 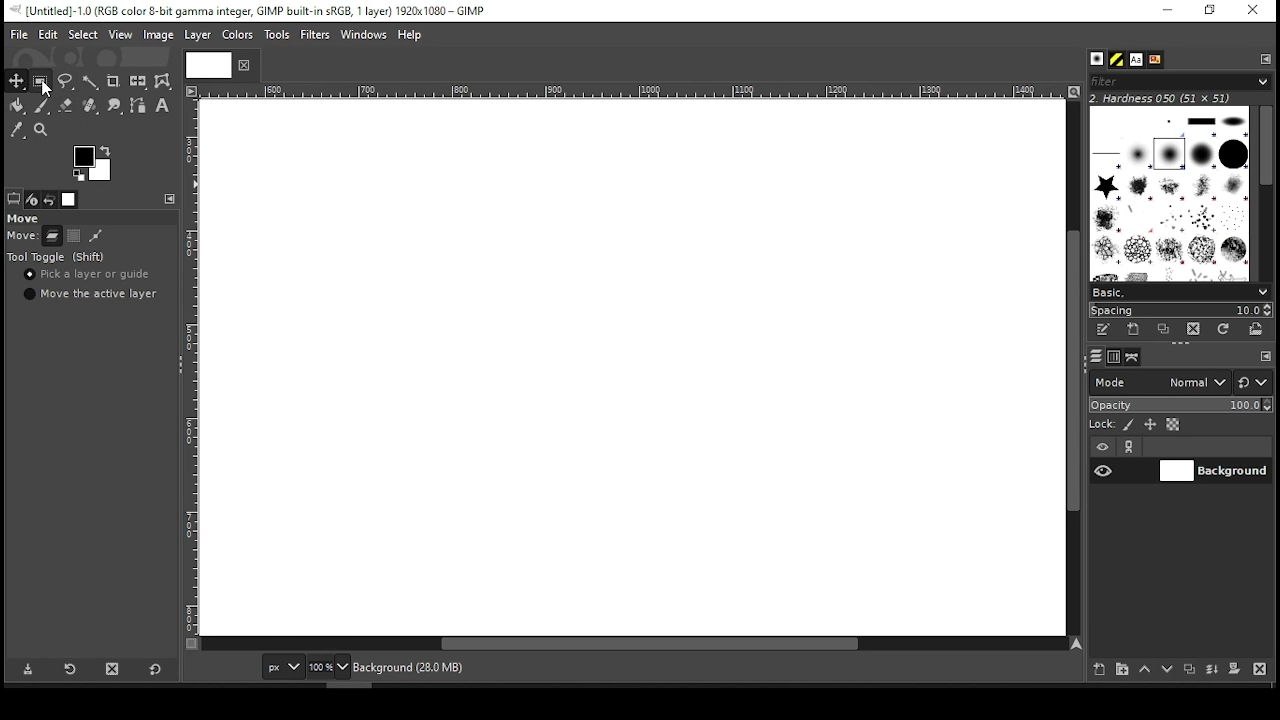 I want to click on edit this brush, so click(x=1102, y=331).